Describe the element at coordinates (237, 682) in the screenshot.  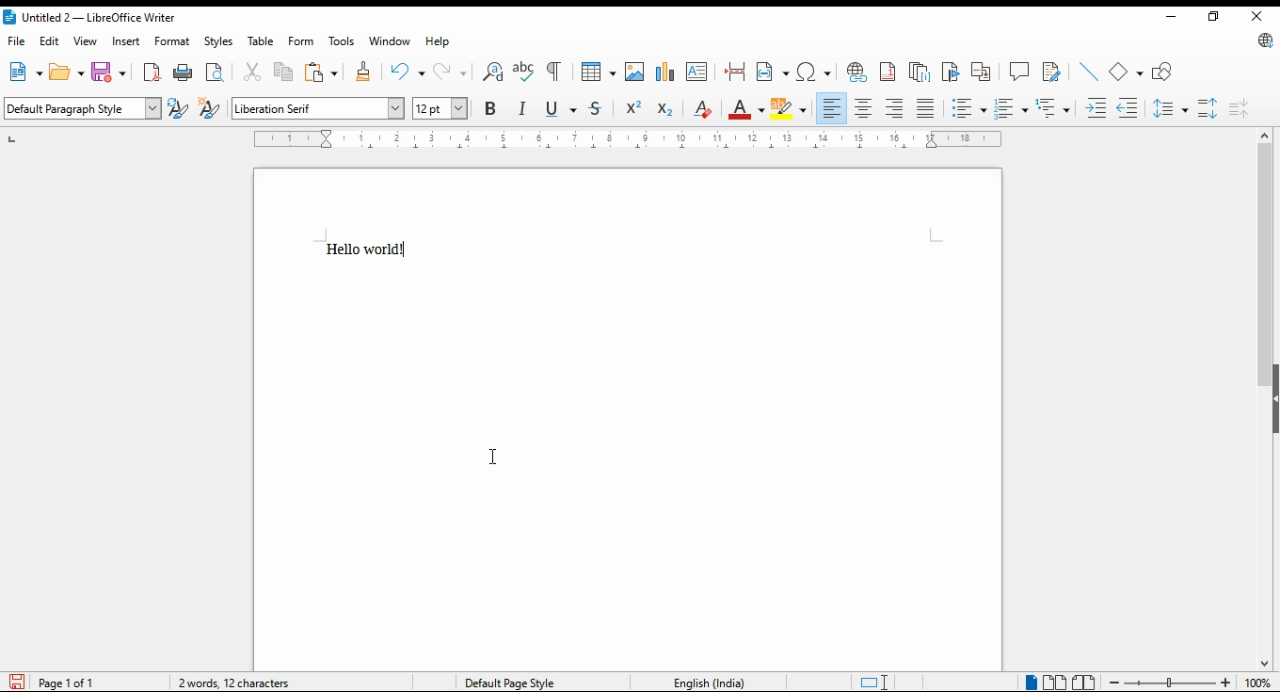
I see `document information` at that location.